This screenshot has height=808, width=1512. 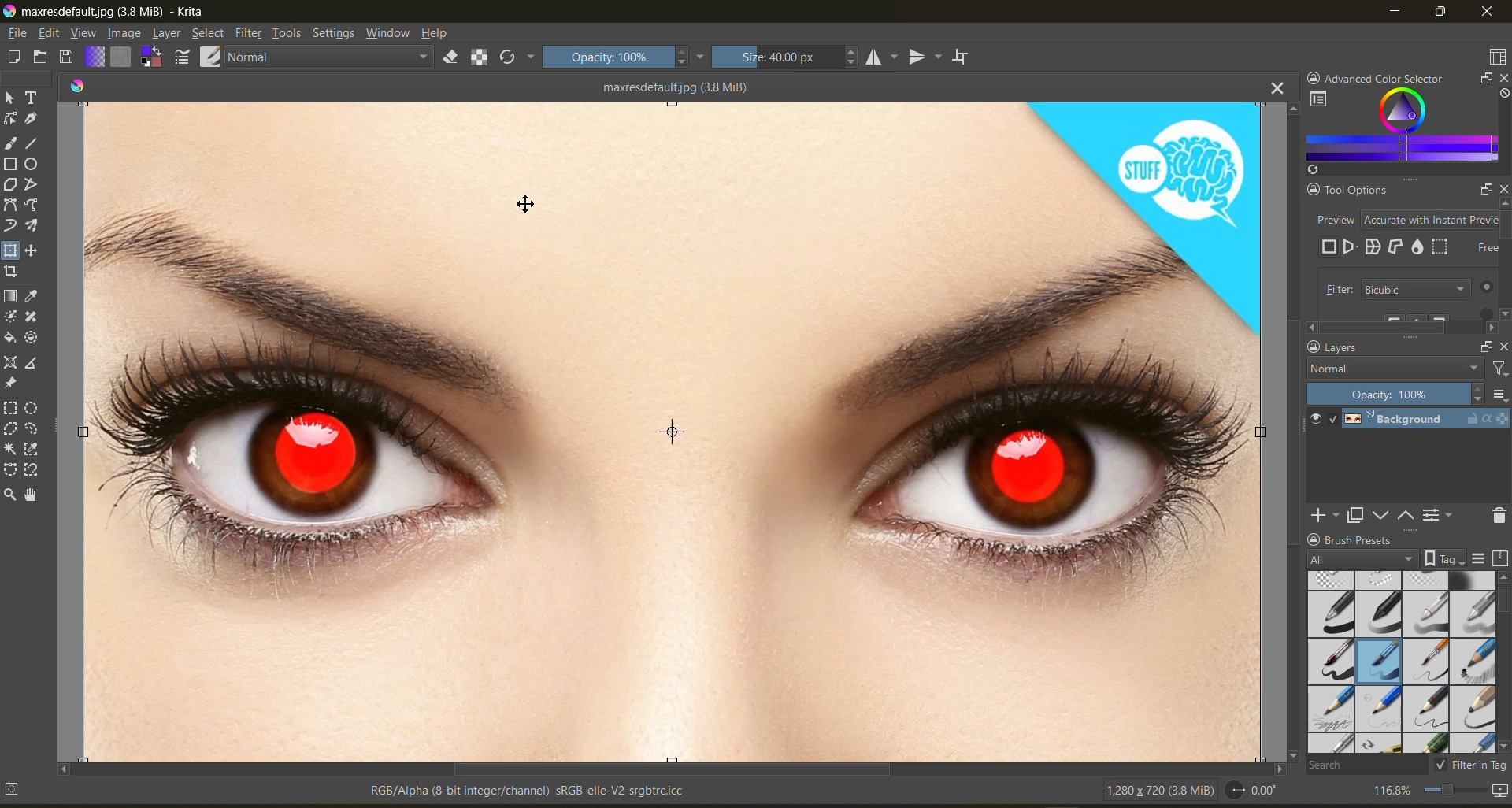 What do you see at coordinates (1397, 246) in the screenshot?
I see `cage` at bounding box center [1397, 246].